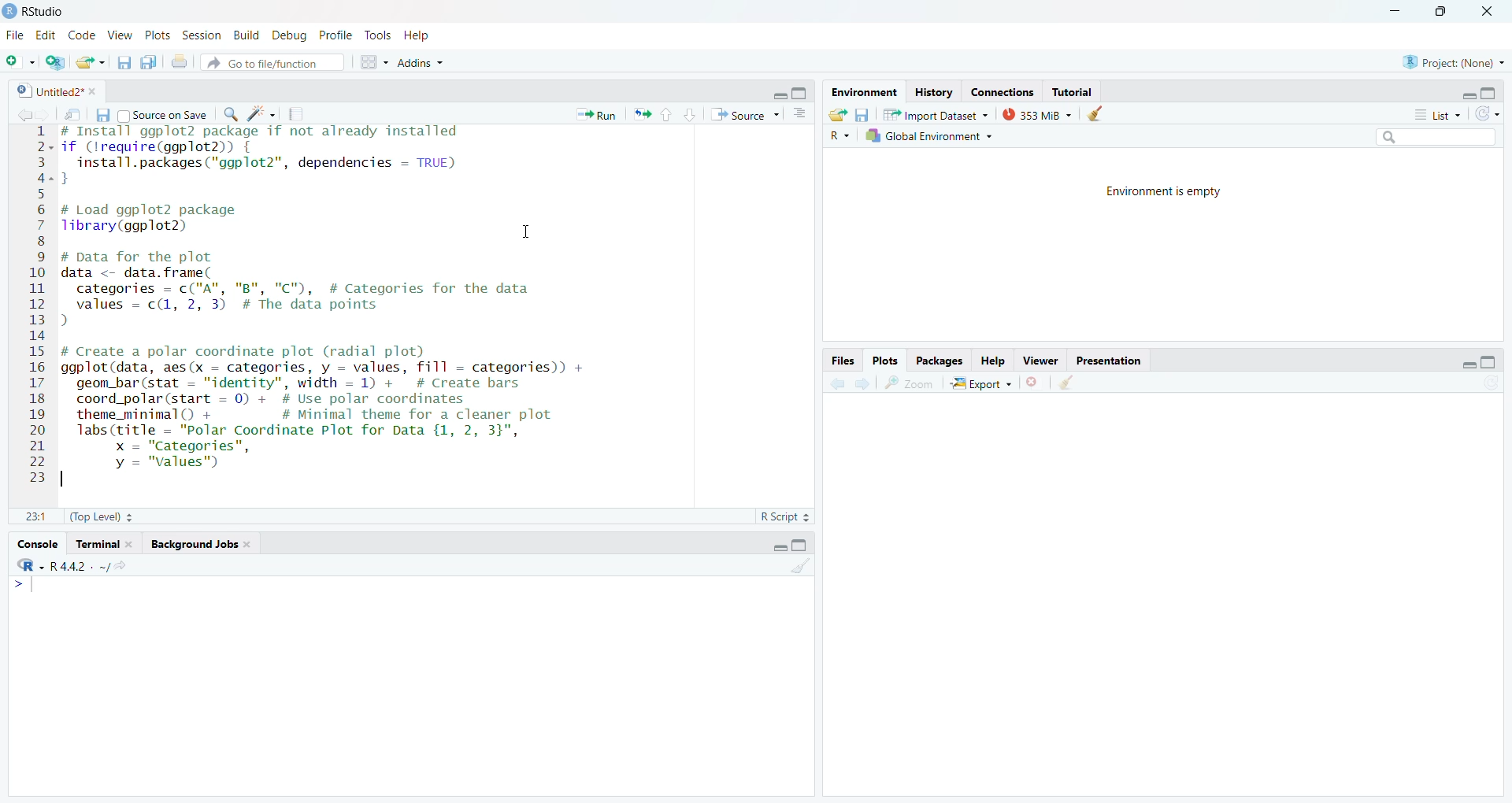 The image size is (1512, 803). What do you see at coordinates (44, 37) in the screenshot?
I see `Edit` at bounding box center [44, 37].